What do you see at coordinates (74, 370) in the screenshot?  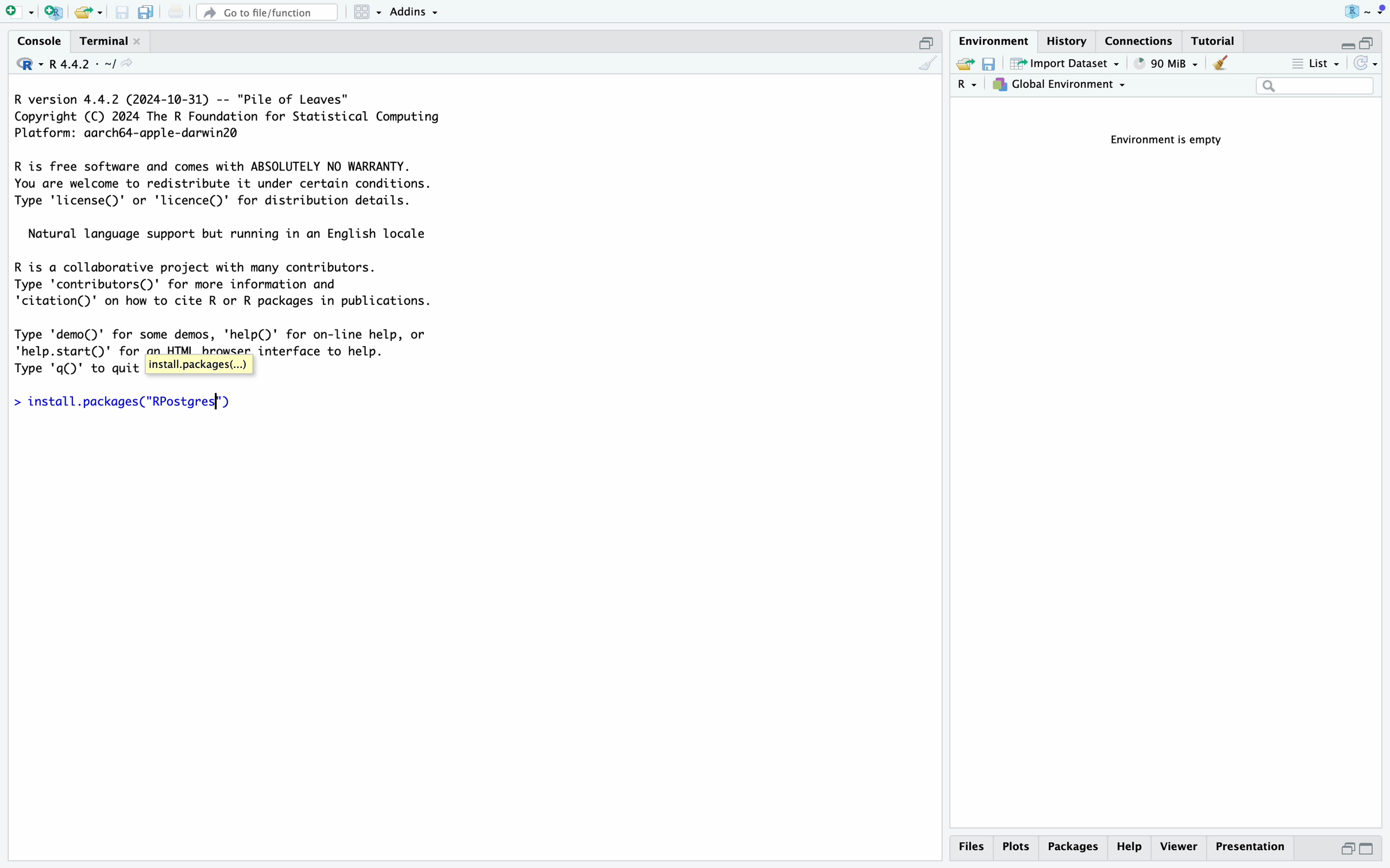 I see `Type 'q()' to quit` at bounding box center [74, 370].